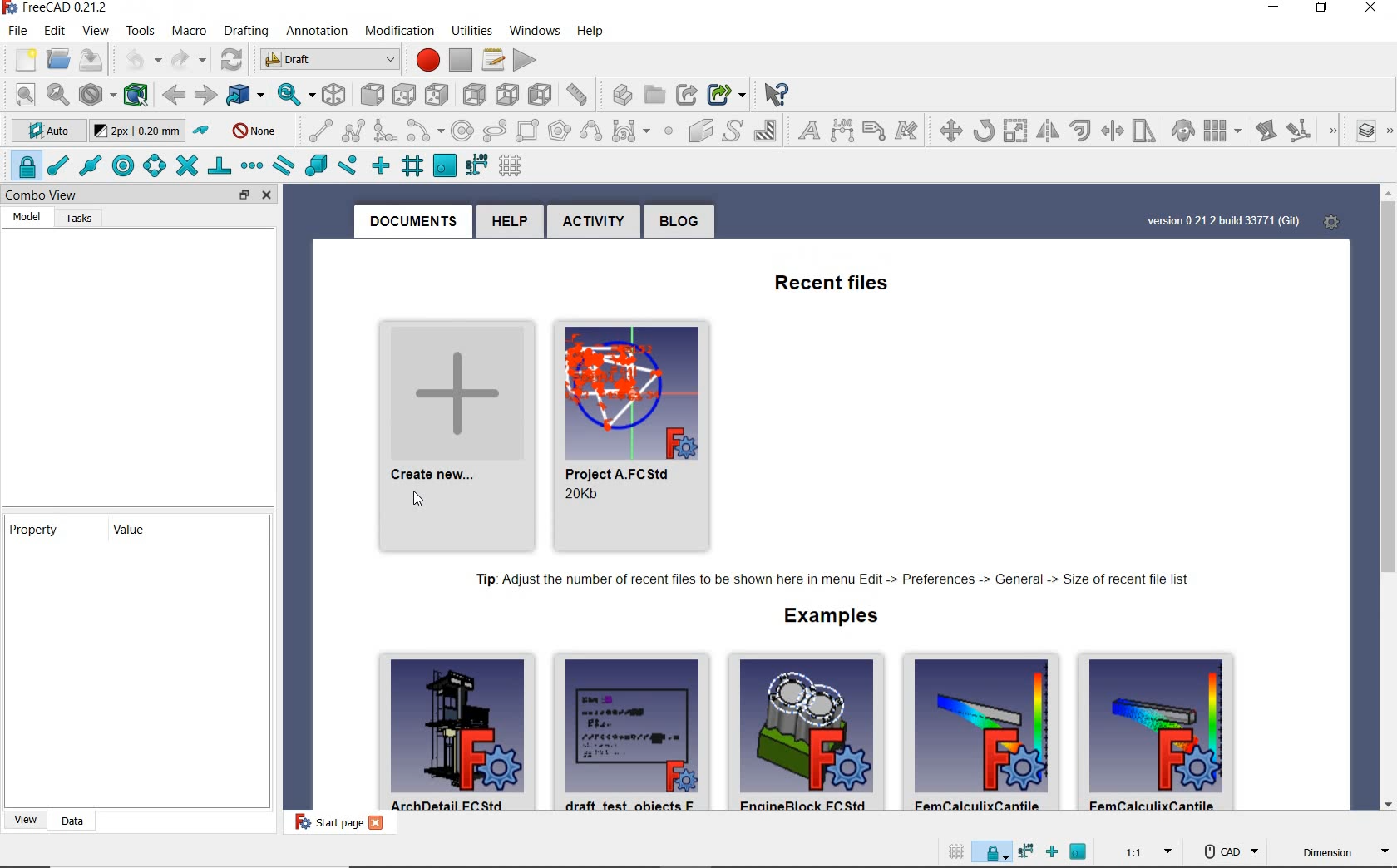 Image resolution: width=1397 pixels, height=868 pixels. Describe the element at coordinates (22, 165) in the screenshot. I see `snap lock` at that location.